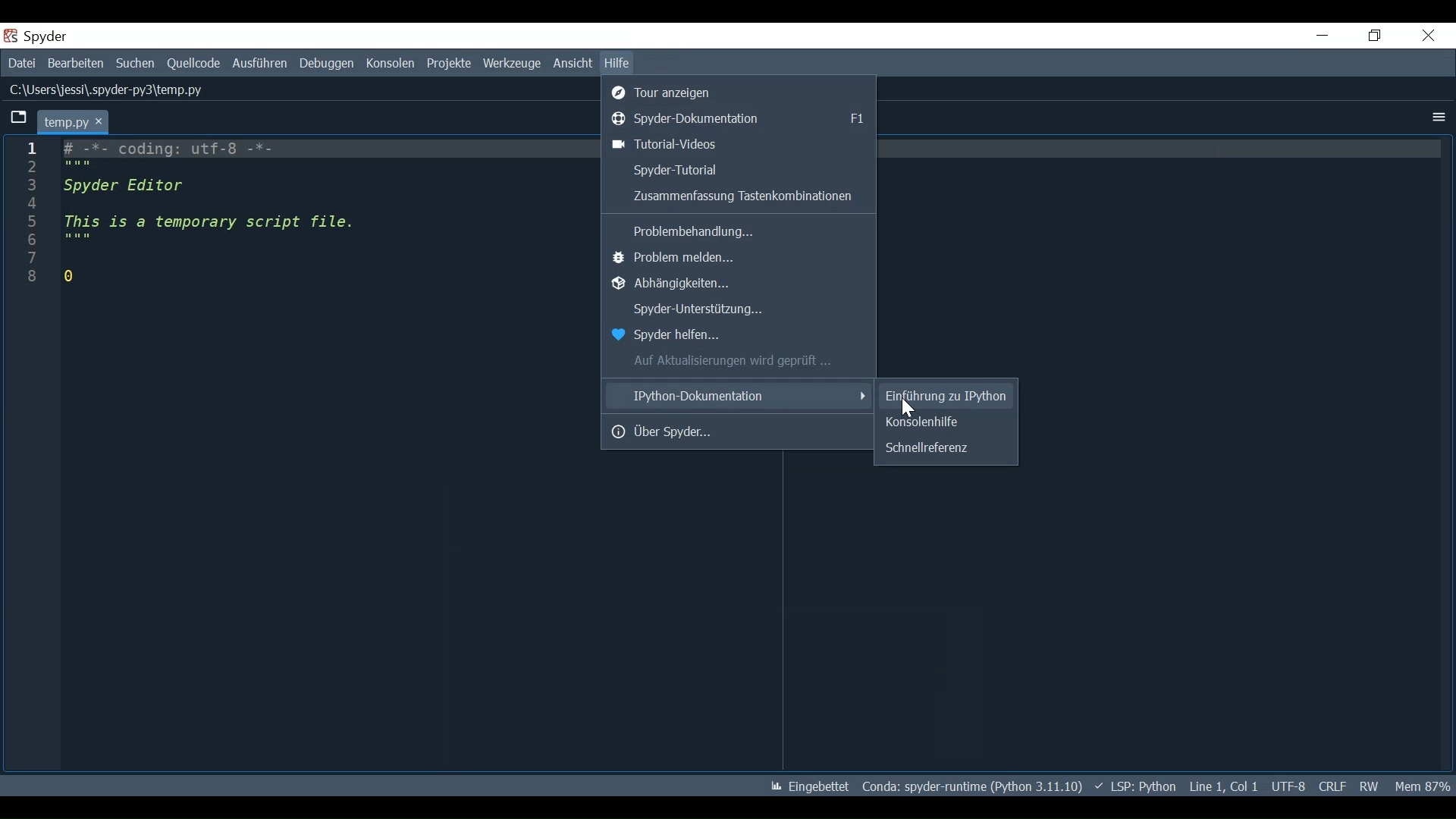  Describe the element at coordinates (736, 197) in the screenshot. I see `Shortcut Summary` at that location.